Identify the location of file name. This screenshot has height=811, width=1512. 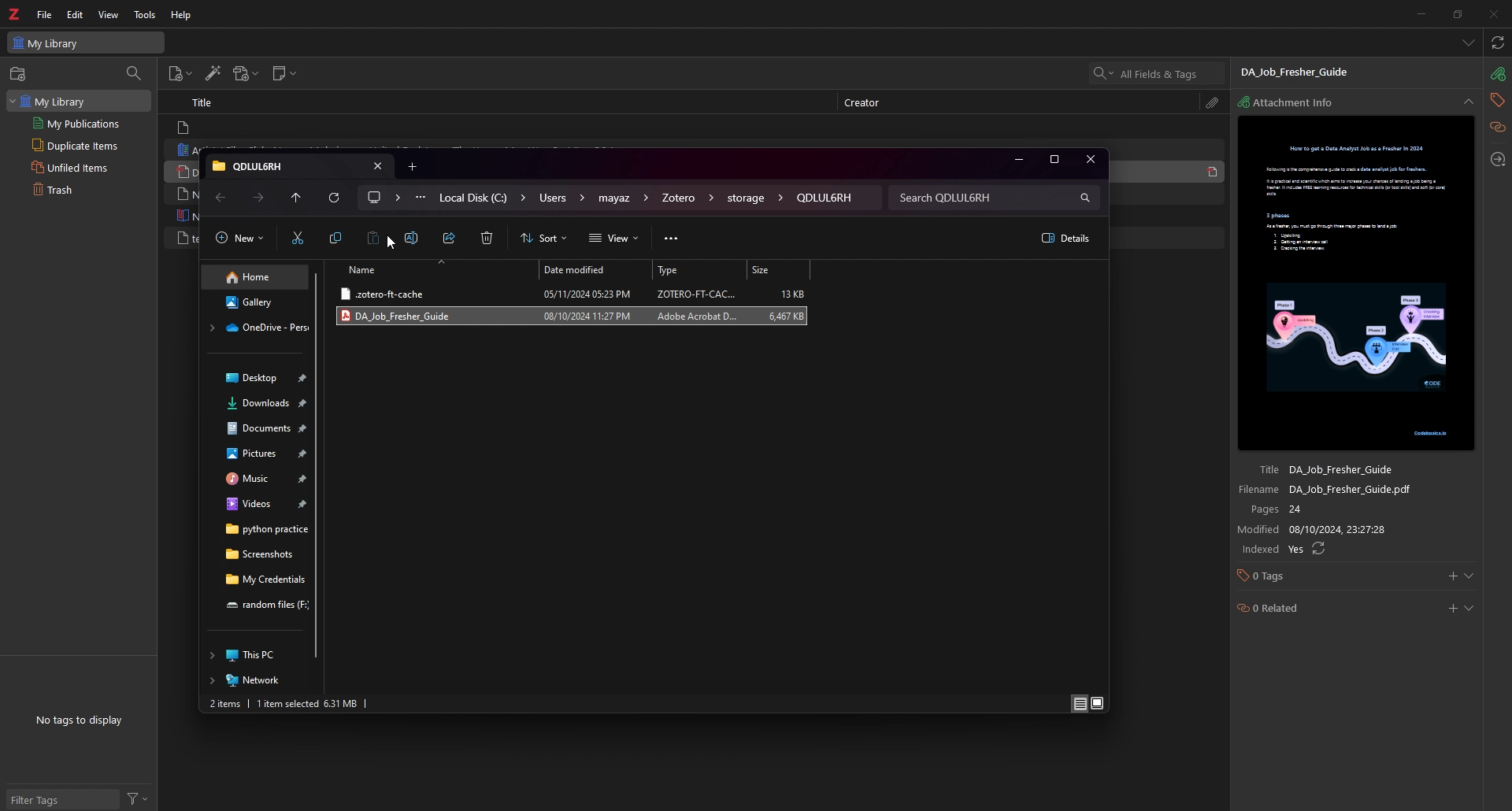
(1310, 72).